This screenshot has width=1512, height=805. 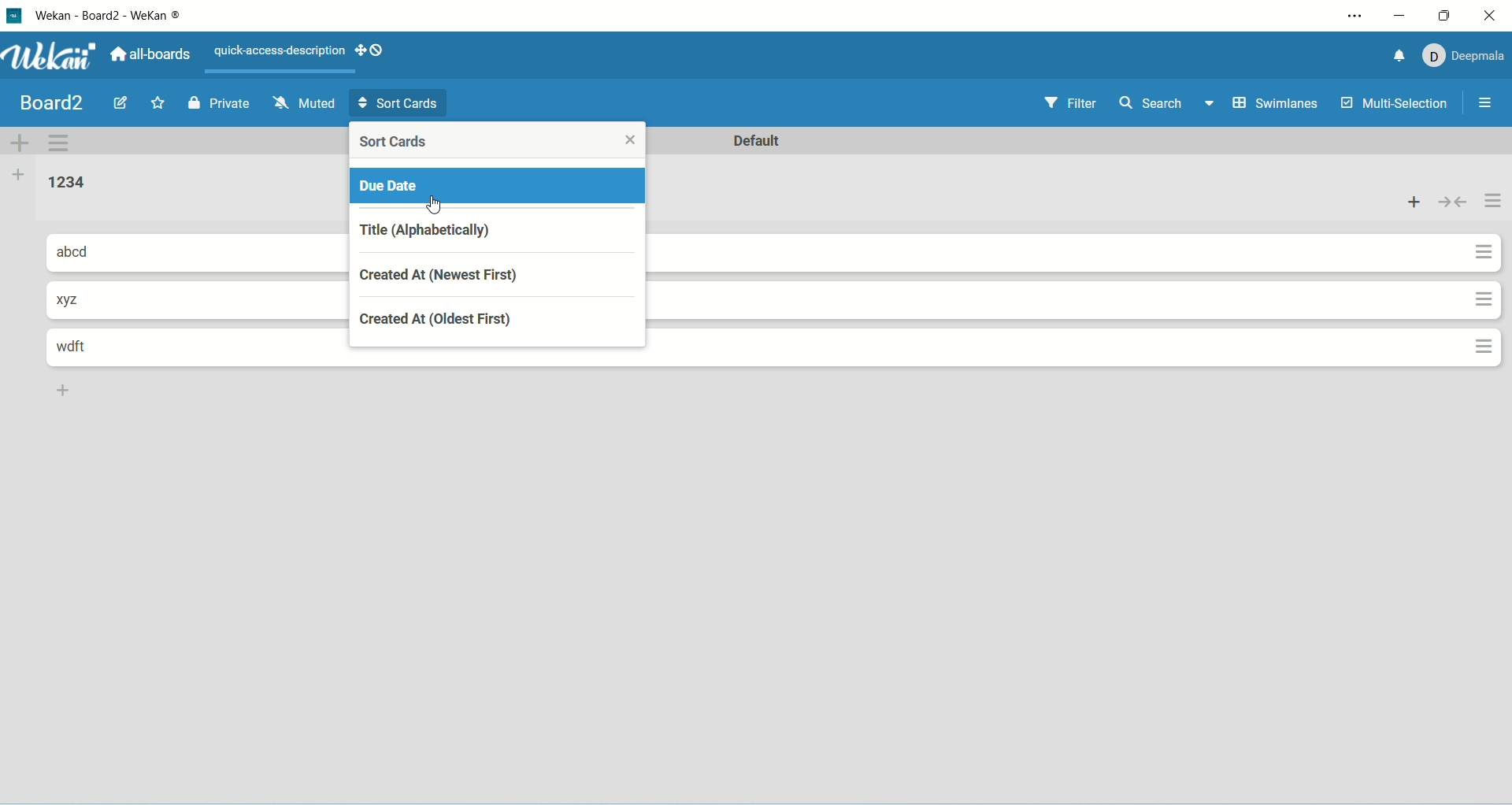 I want to click on card title, so click(x=76, y=299).